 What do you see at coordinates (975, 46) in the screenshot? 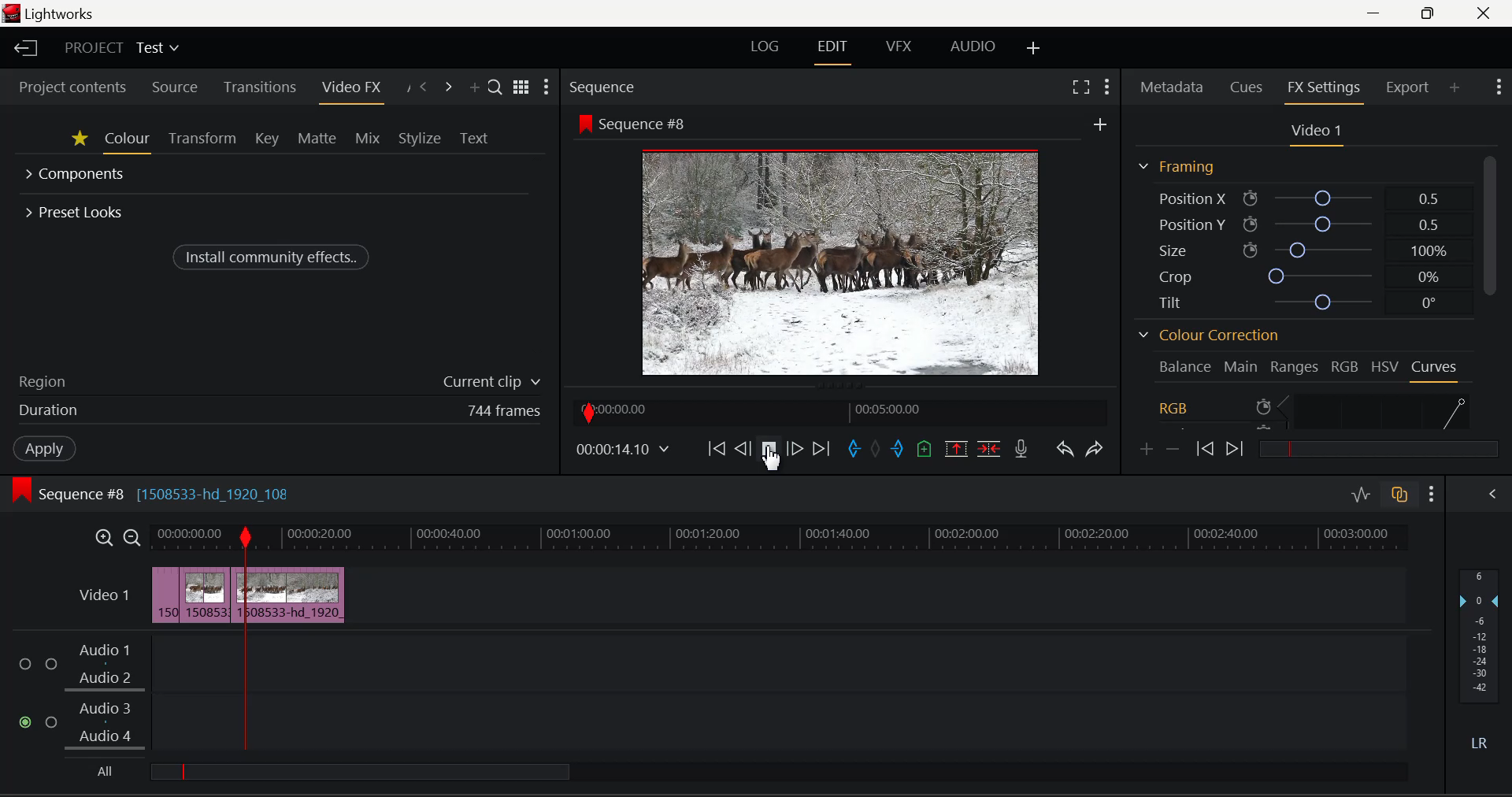
I see `AUDIO Layout` at bounding box center [975, 46].